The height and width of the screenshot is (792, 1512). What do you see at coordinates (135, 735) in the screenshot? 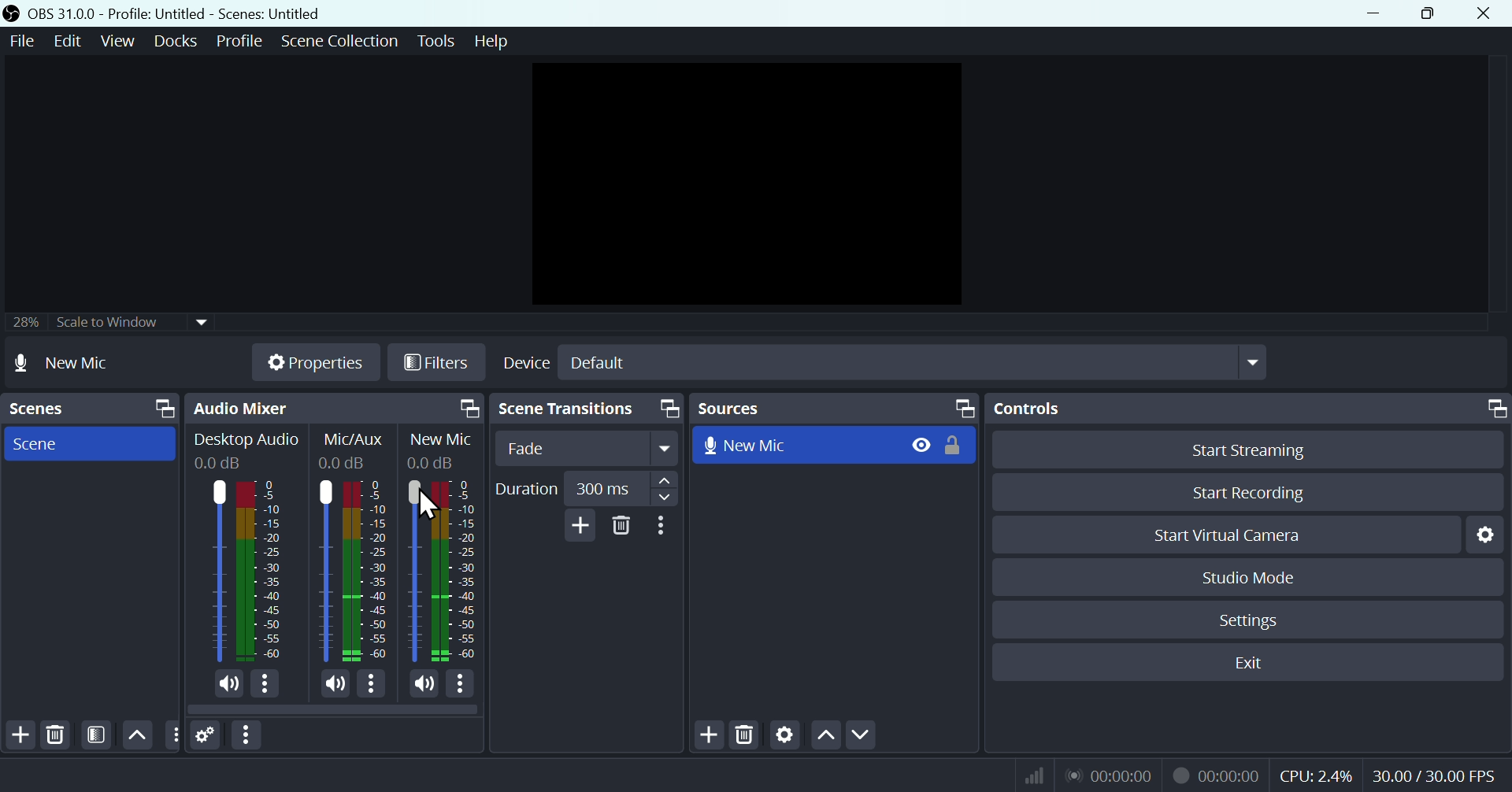
I see `Up` at bounding box center [135, 735].